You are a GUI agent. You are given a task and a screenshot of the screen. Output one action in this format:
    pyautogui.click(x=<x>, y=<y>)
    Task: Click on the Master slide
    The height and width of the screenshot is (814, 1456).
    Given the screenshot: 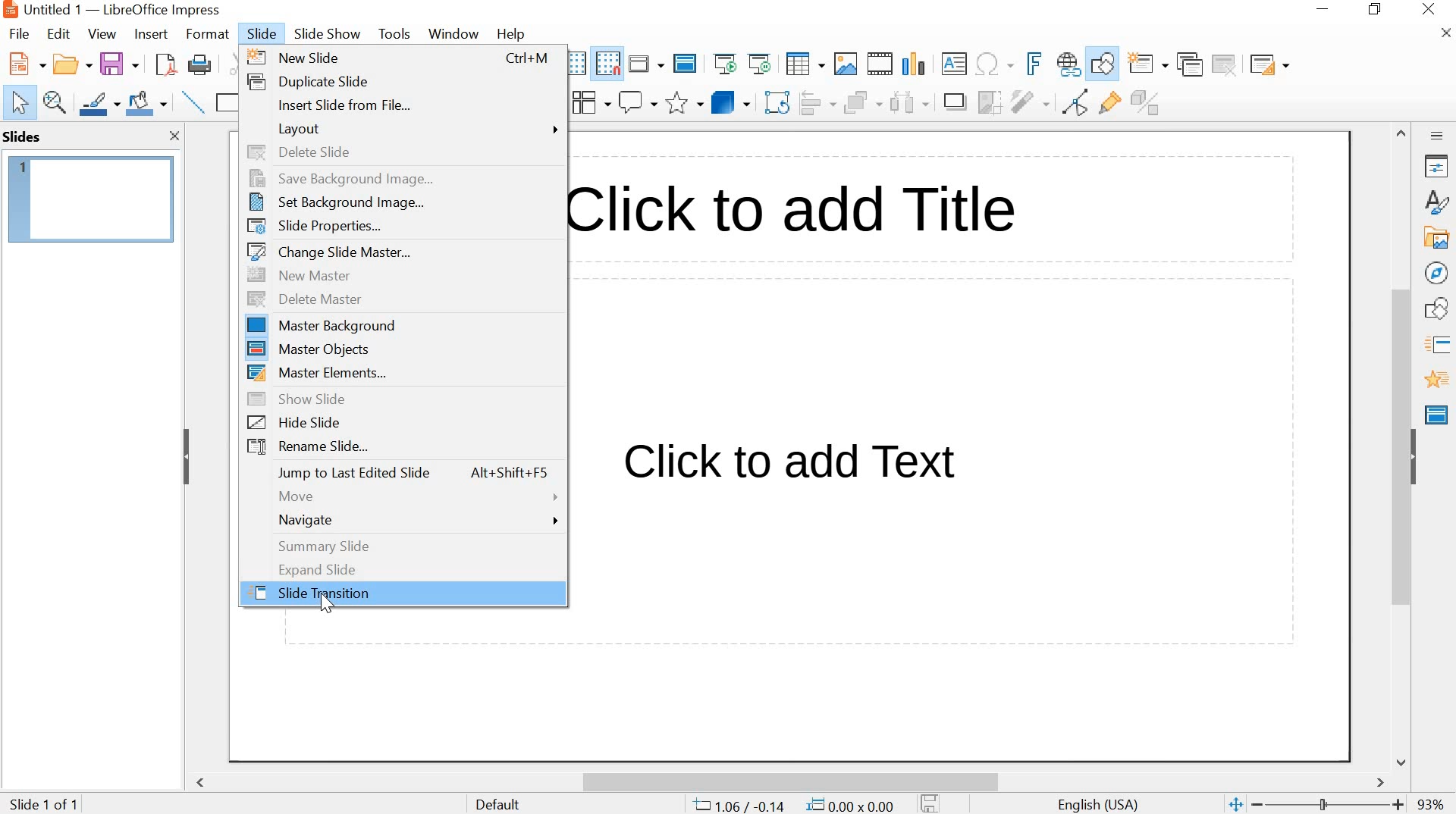 What is the action you would take?
    pyautogui.click(x=687, y=62)
    